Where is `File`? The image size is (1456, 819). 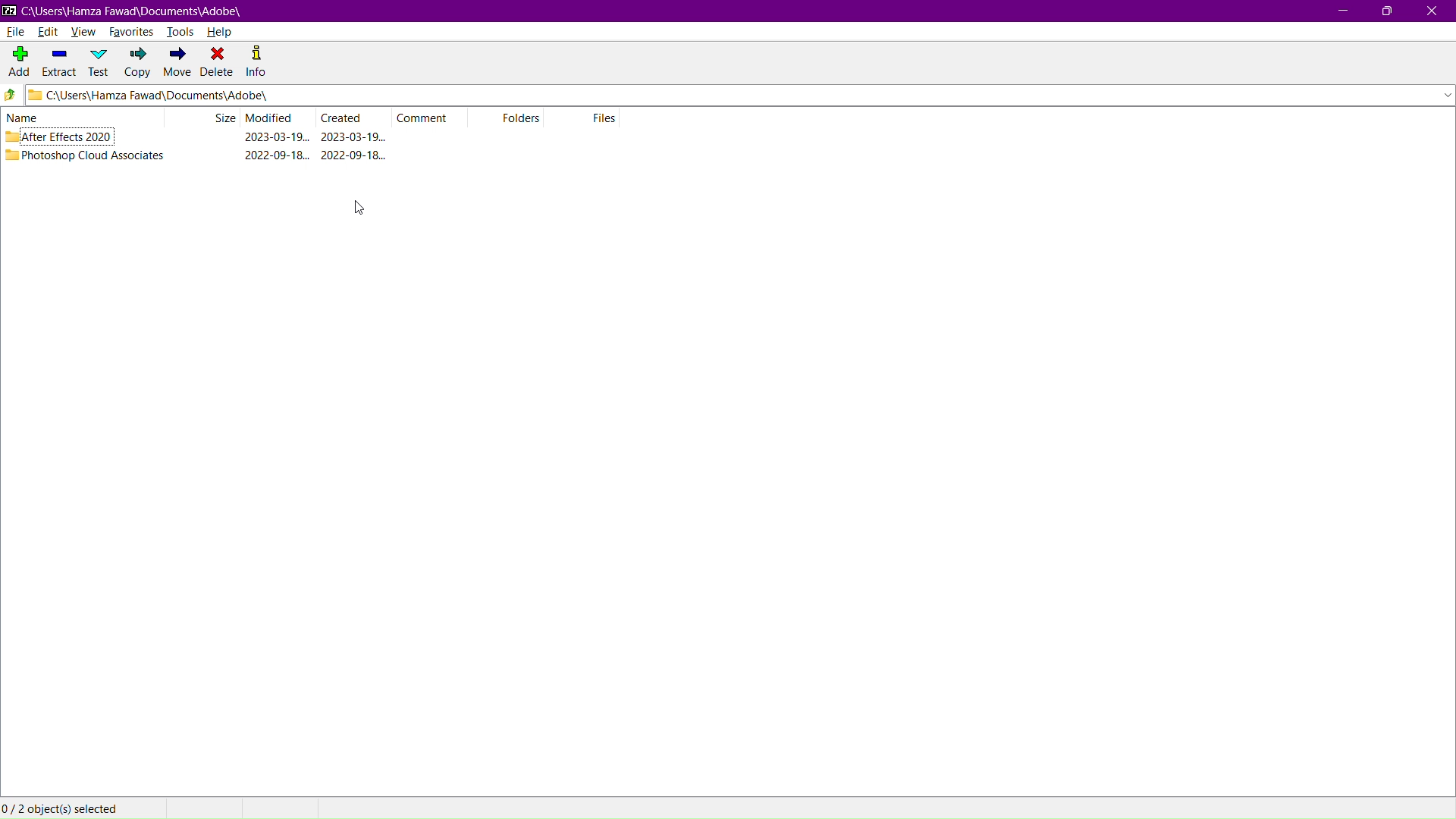 File is located at coordinates (15, 33).